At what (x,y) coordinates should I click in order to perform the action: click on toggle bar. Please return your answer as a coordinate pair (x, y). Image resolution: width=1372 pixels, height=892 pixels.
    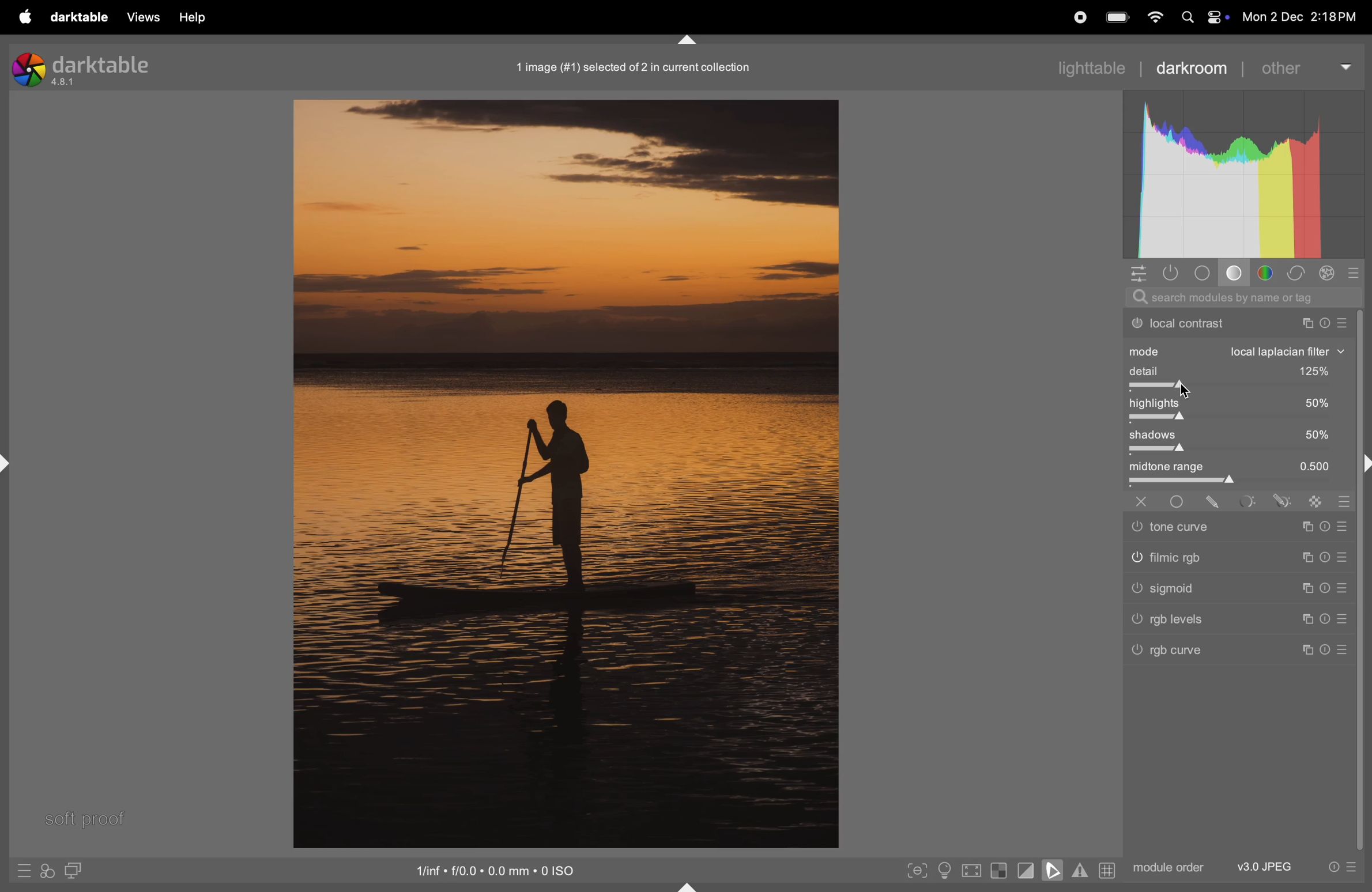
    Looking at the image, I should click on (1235, 451).